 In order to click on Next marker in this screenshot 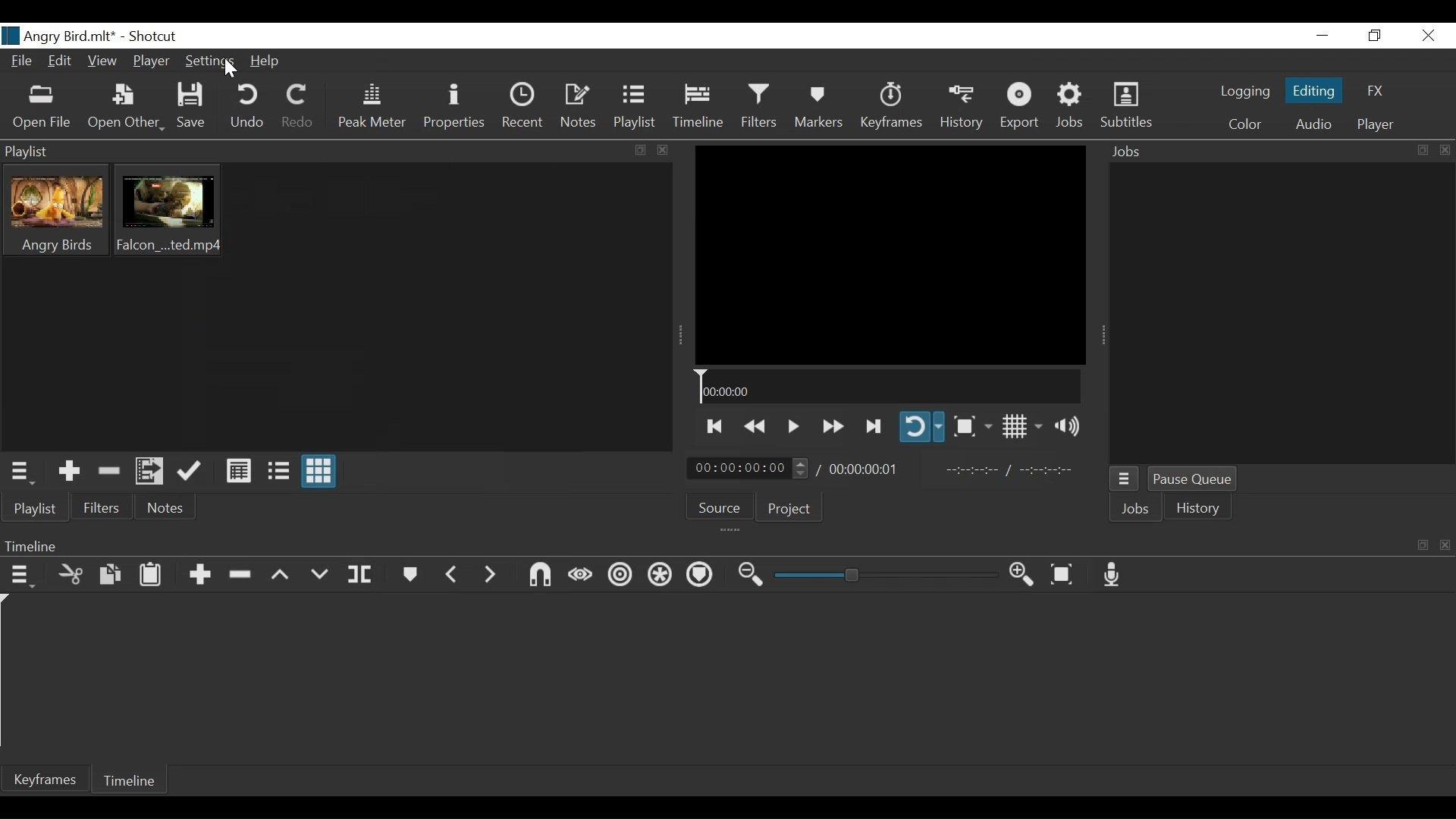, I will do `click(489, 580)`.